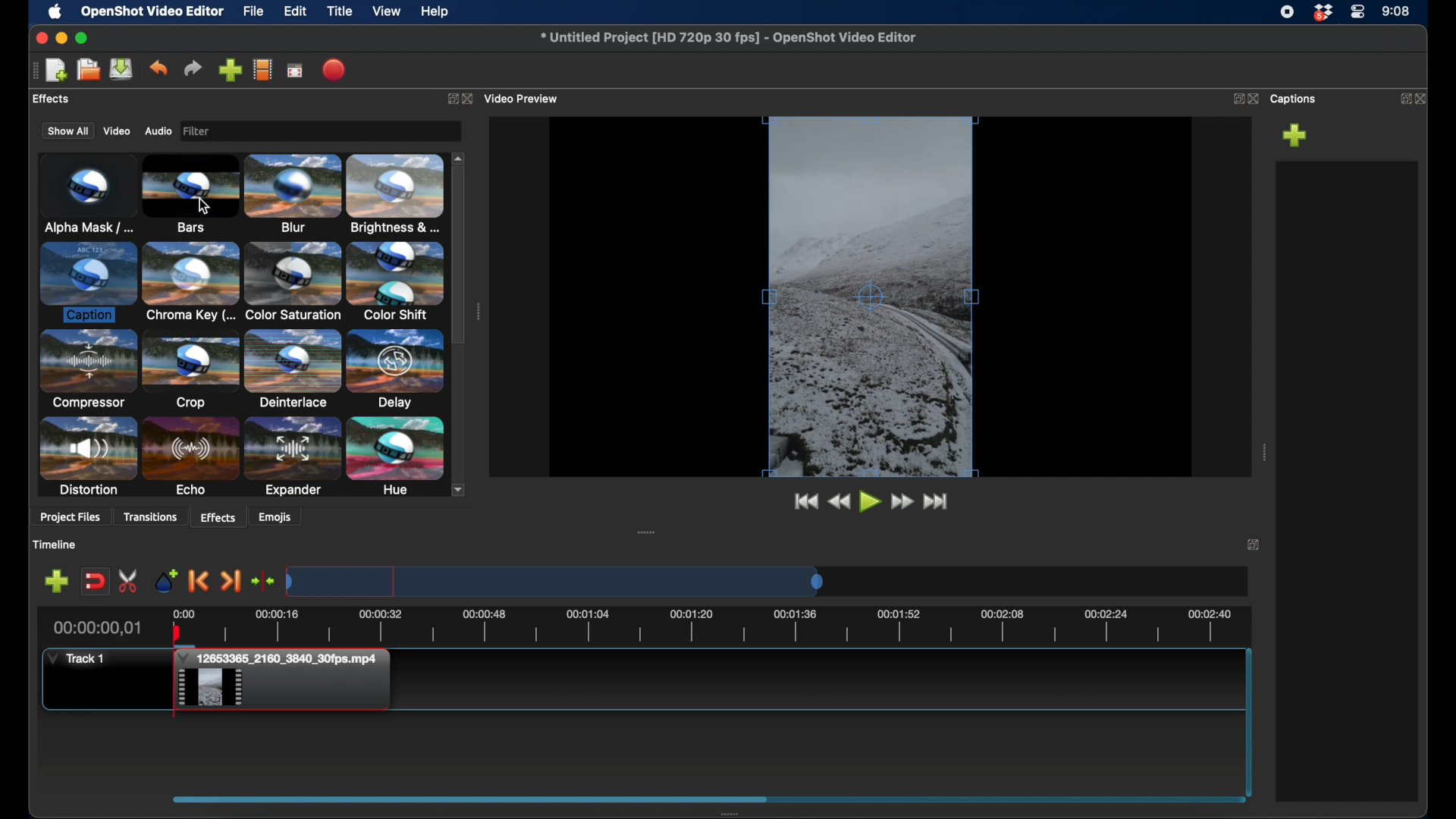 The height and width of the screenshot is (819, 1456). Describe the element at coordinates (460, 256) in the screenshot. I see `scroll box` at that location.